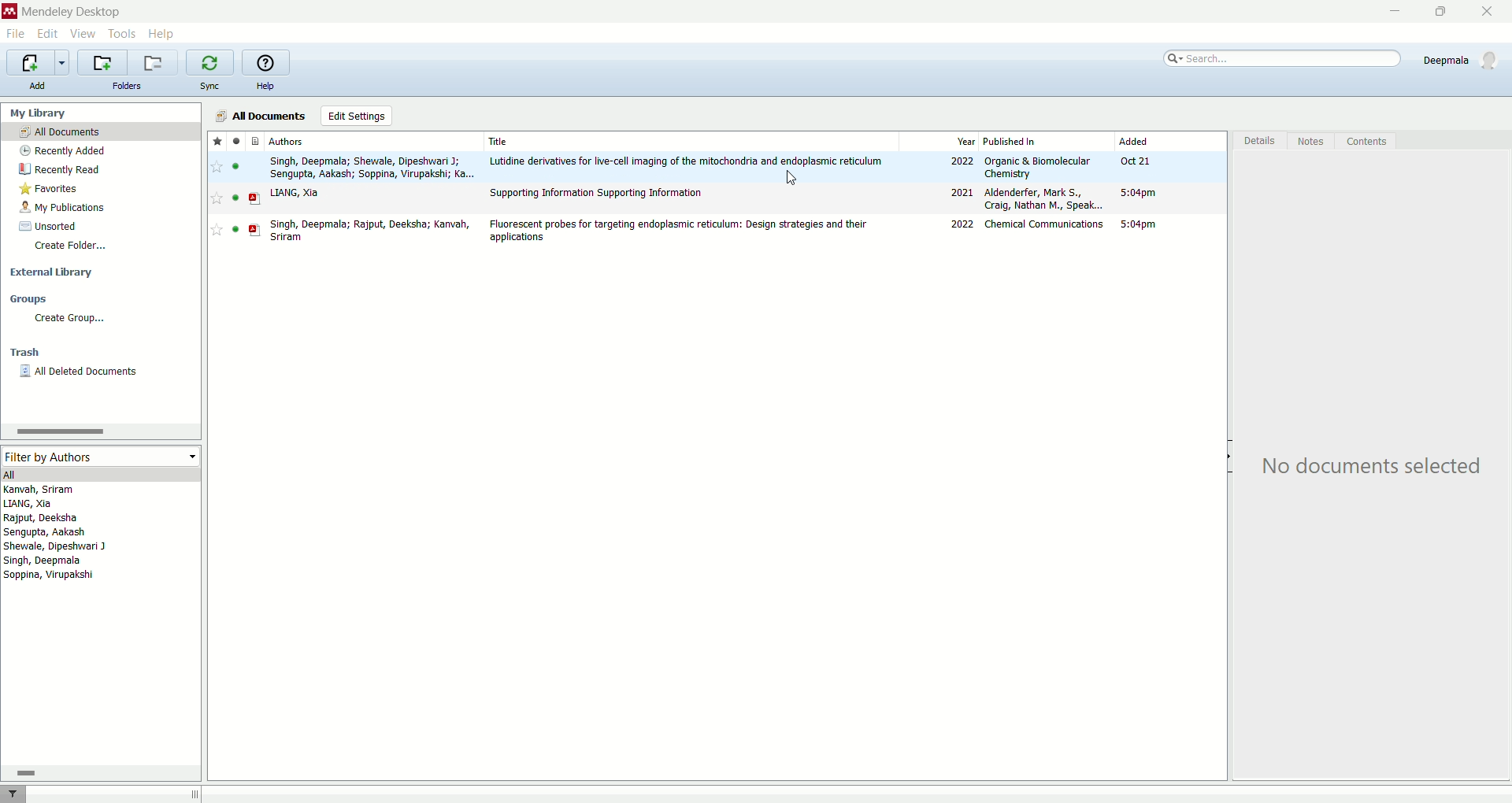 Image resolution: width=1512 pixels, height=803 pixels. Describe the element at coordinates (195, 794) in the screenshot. I see `toggle expand/contract` at that location.